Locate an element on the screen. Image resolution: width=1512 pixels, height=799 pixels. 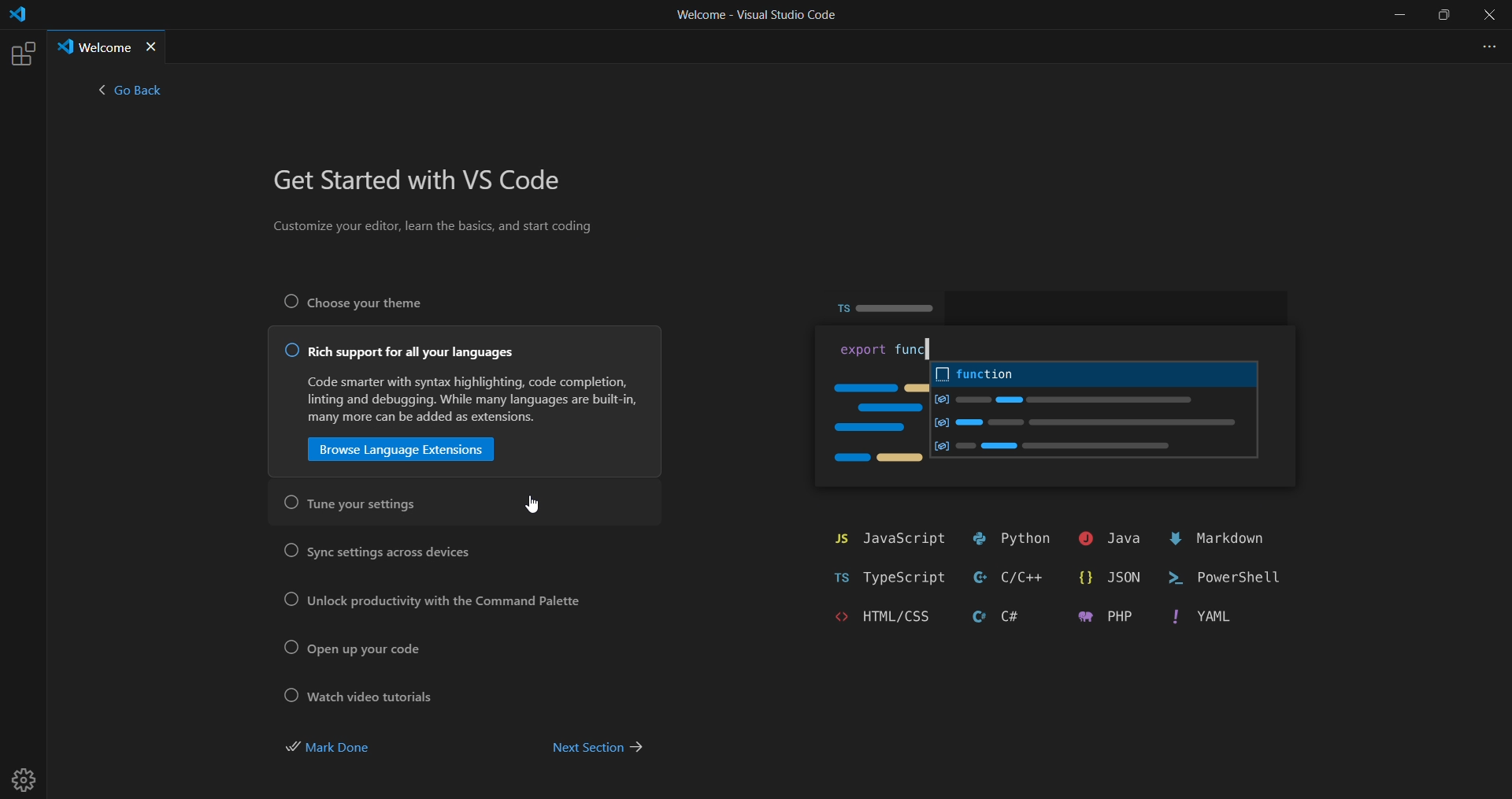
open up your code is located at coordinates (359, 648).